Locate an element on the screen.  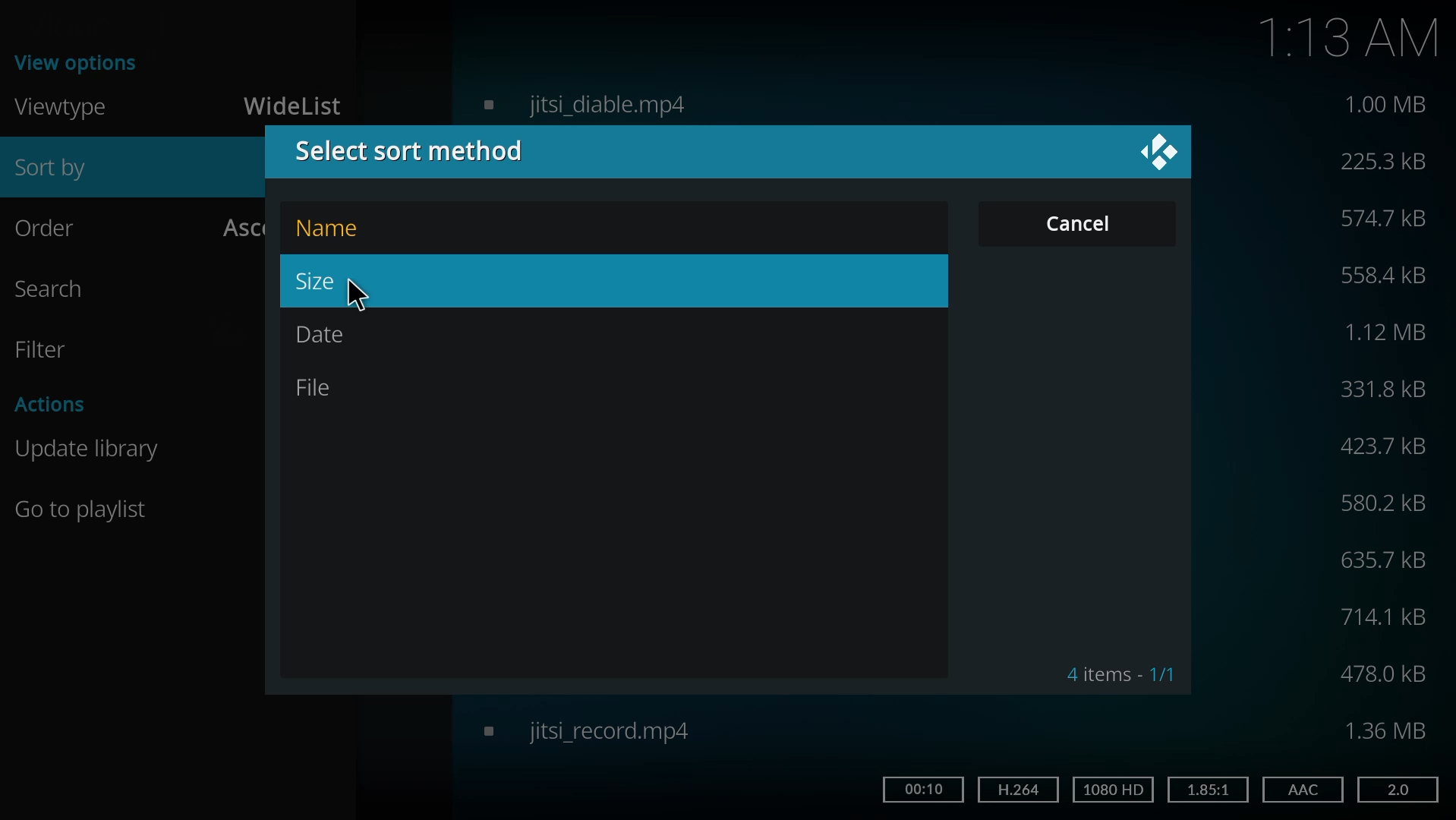
cancel is located at coordinates (1079, 225).